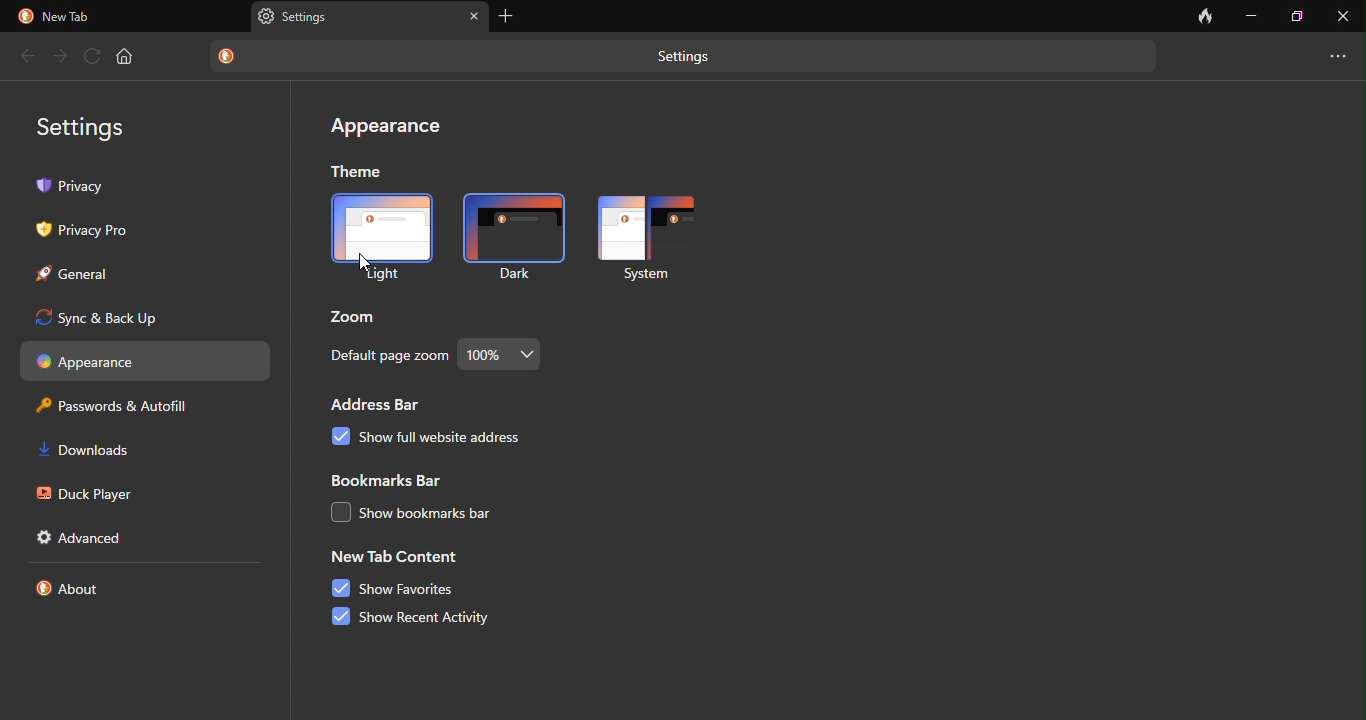  I want to click on light, so click(381, 238).